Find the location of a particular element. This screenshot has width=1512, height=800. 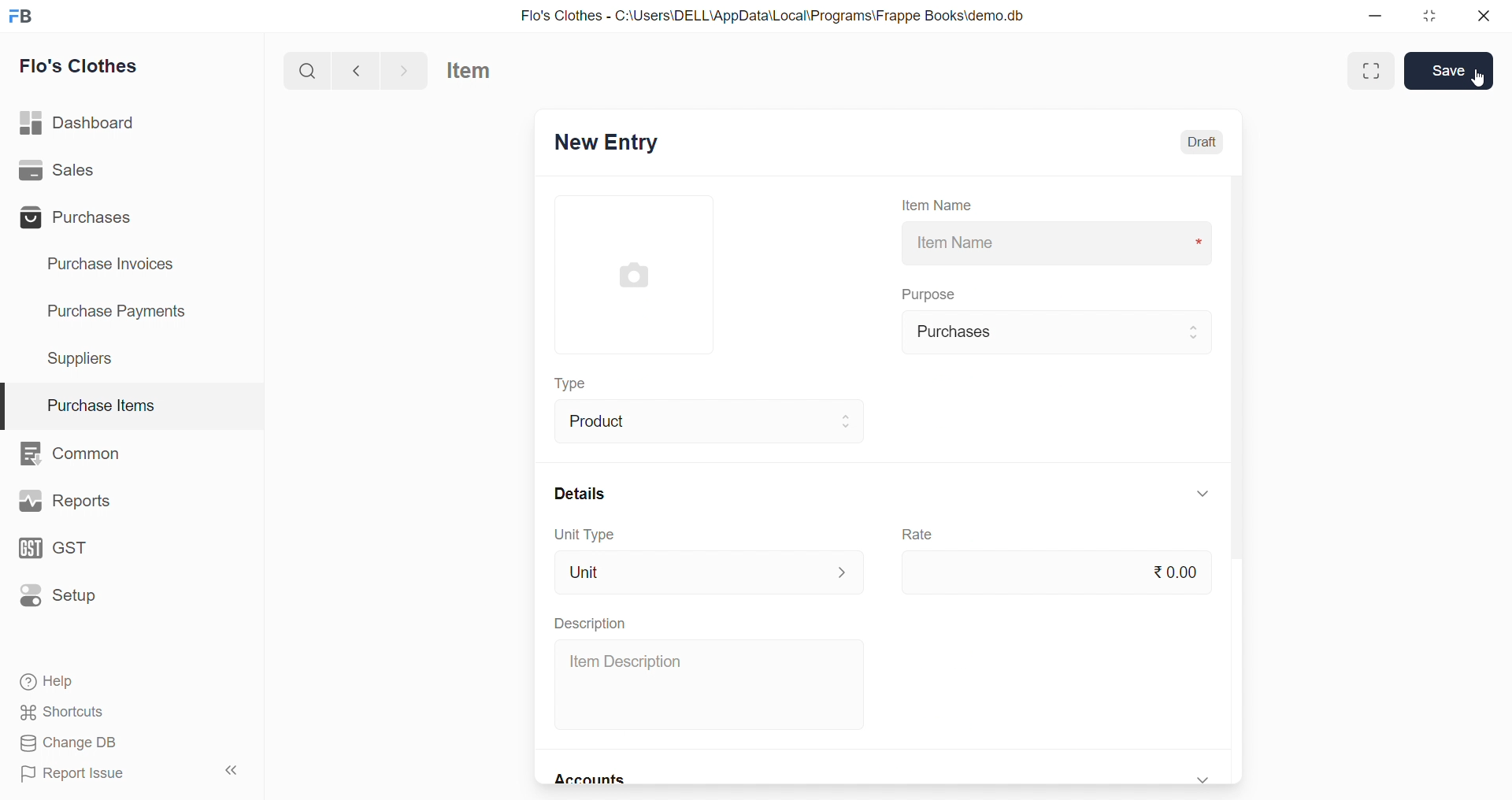

Unit is located at coordinates (710, 572).